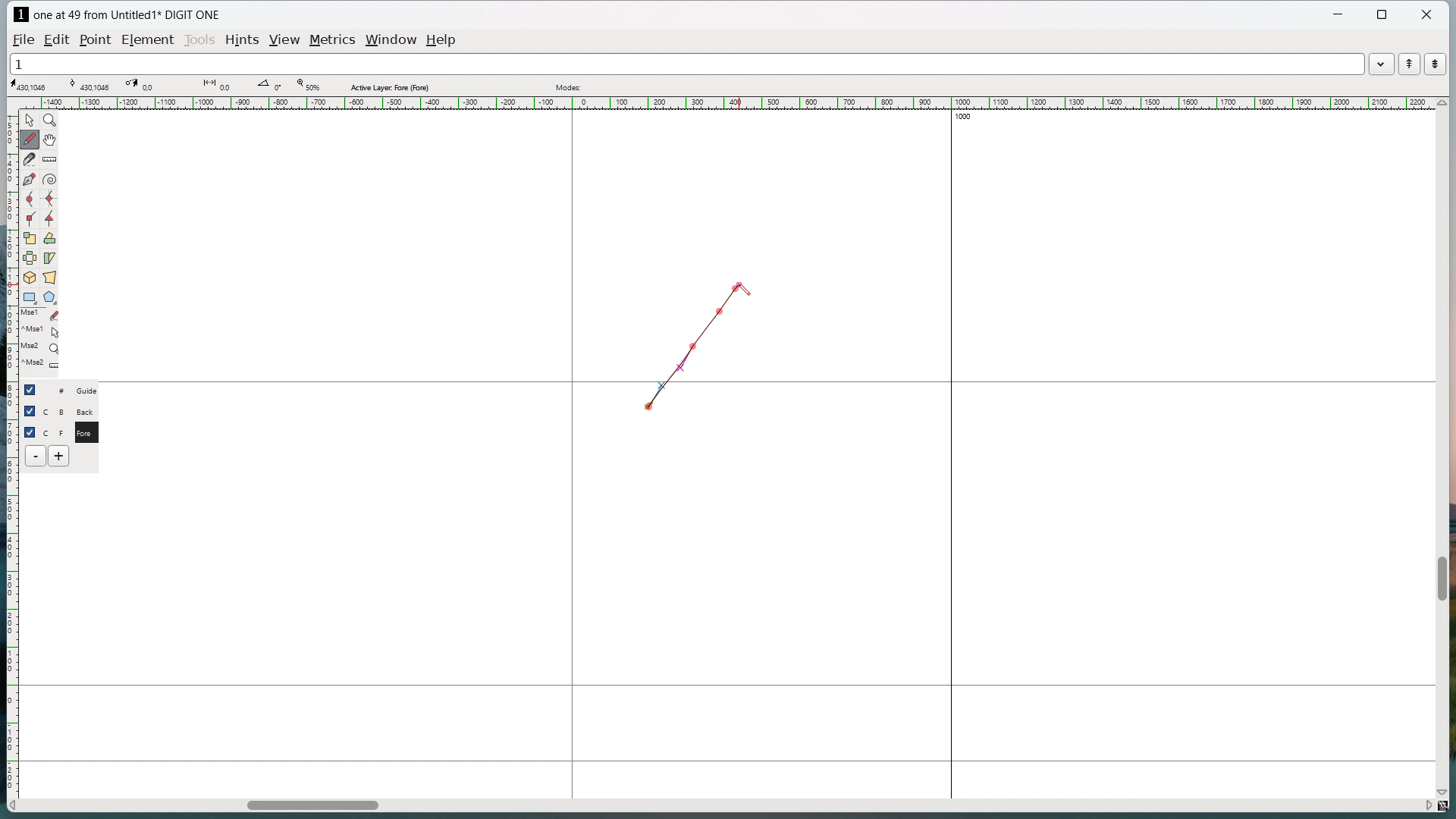 Image resolution: width=1456 pixels, height=819 pixels. What do you see at coordinates (30, 199) in the screenshot?
I see `add a curve point` at bounding box center [30, 199].